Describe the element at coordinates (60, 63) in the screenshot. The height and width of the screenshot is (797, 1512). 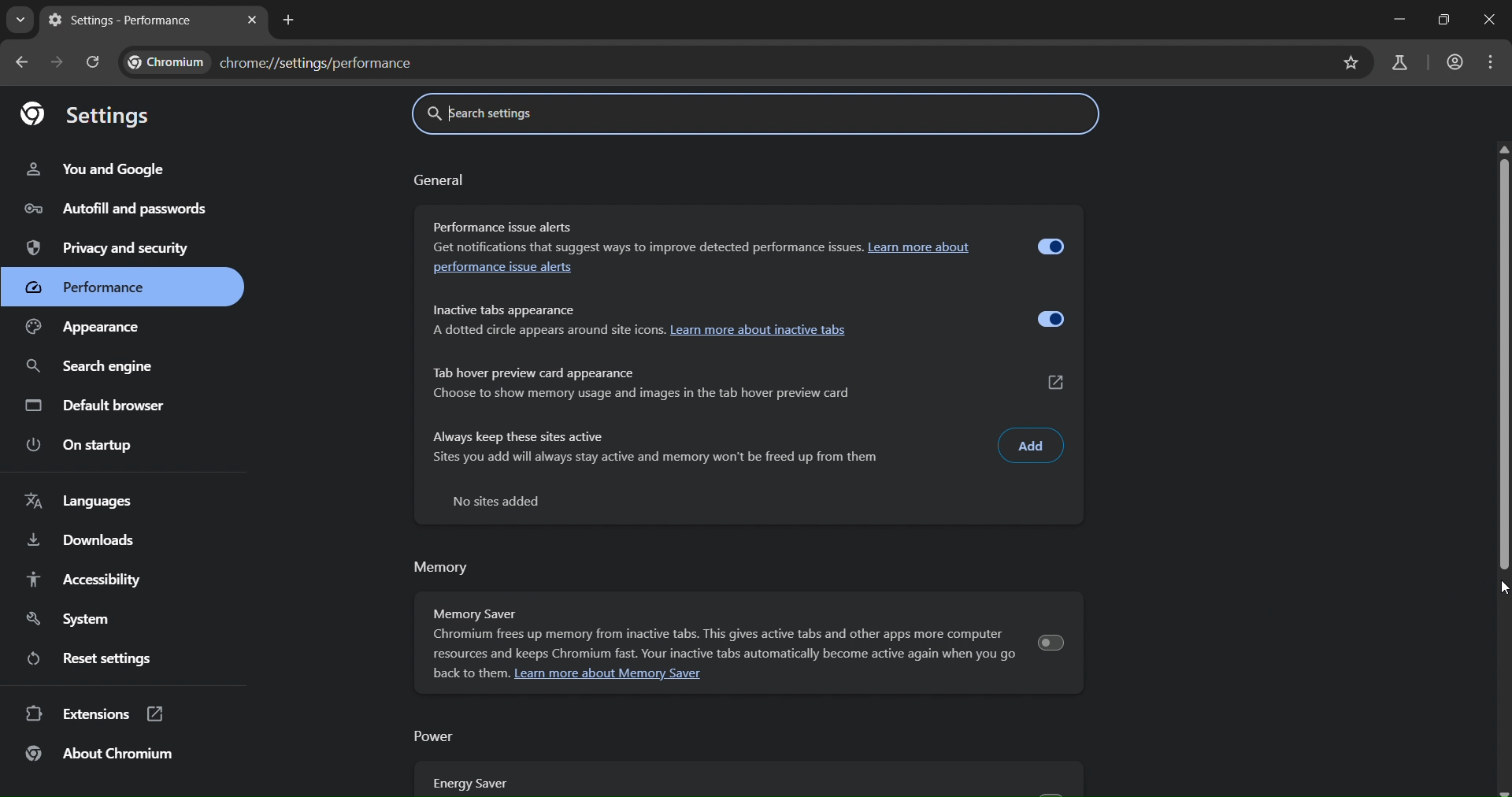
I see `go forward one page` at that location.